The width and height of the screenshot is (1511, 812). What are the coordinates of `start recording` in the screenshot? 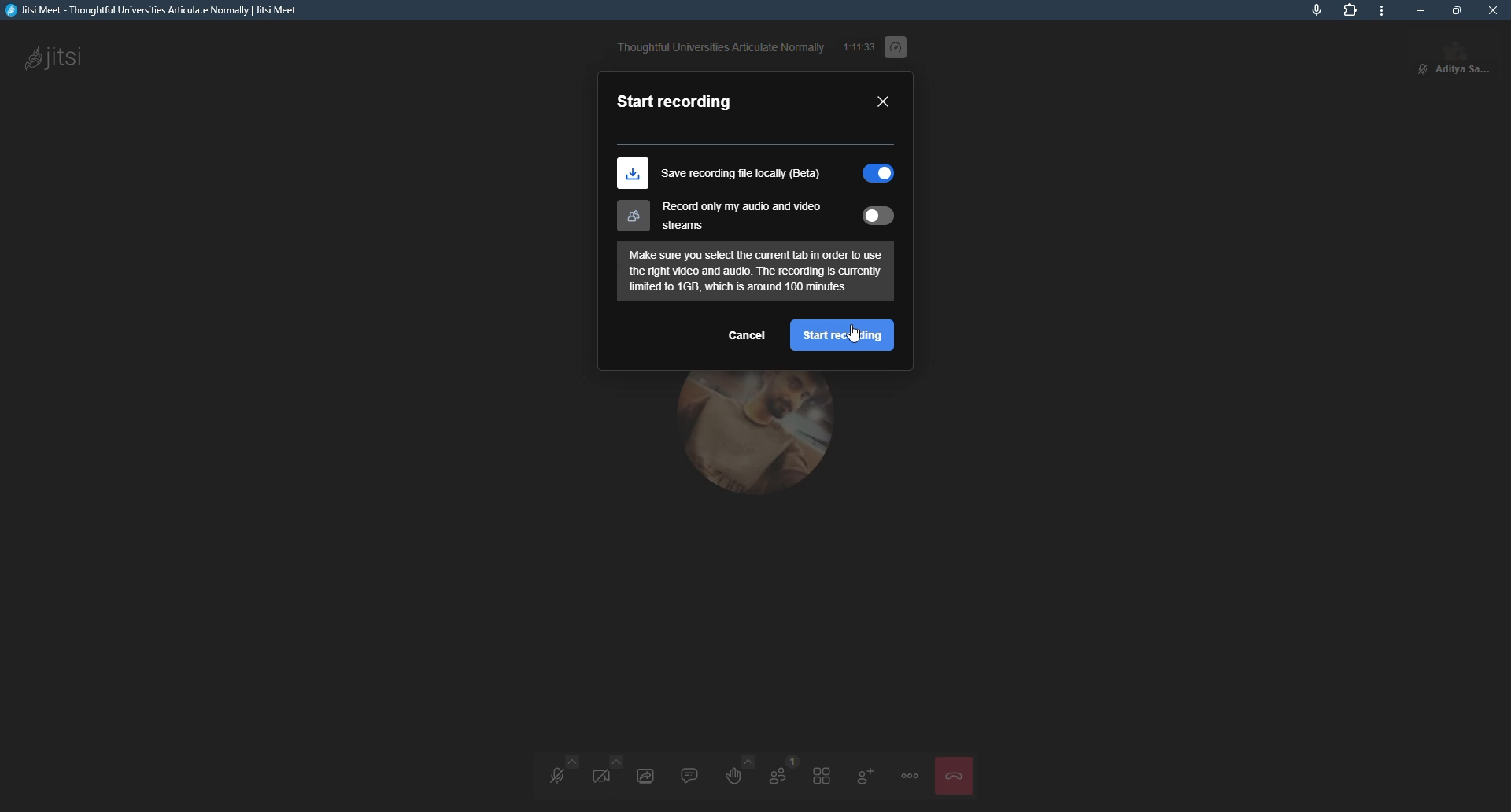 It's located at (844, 336).